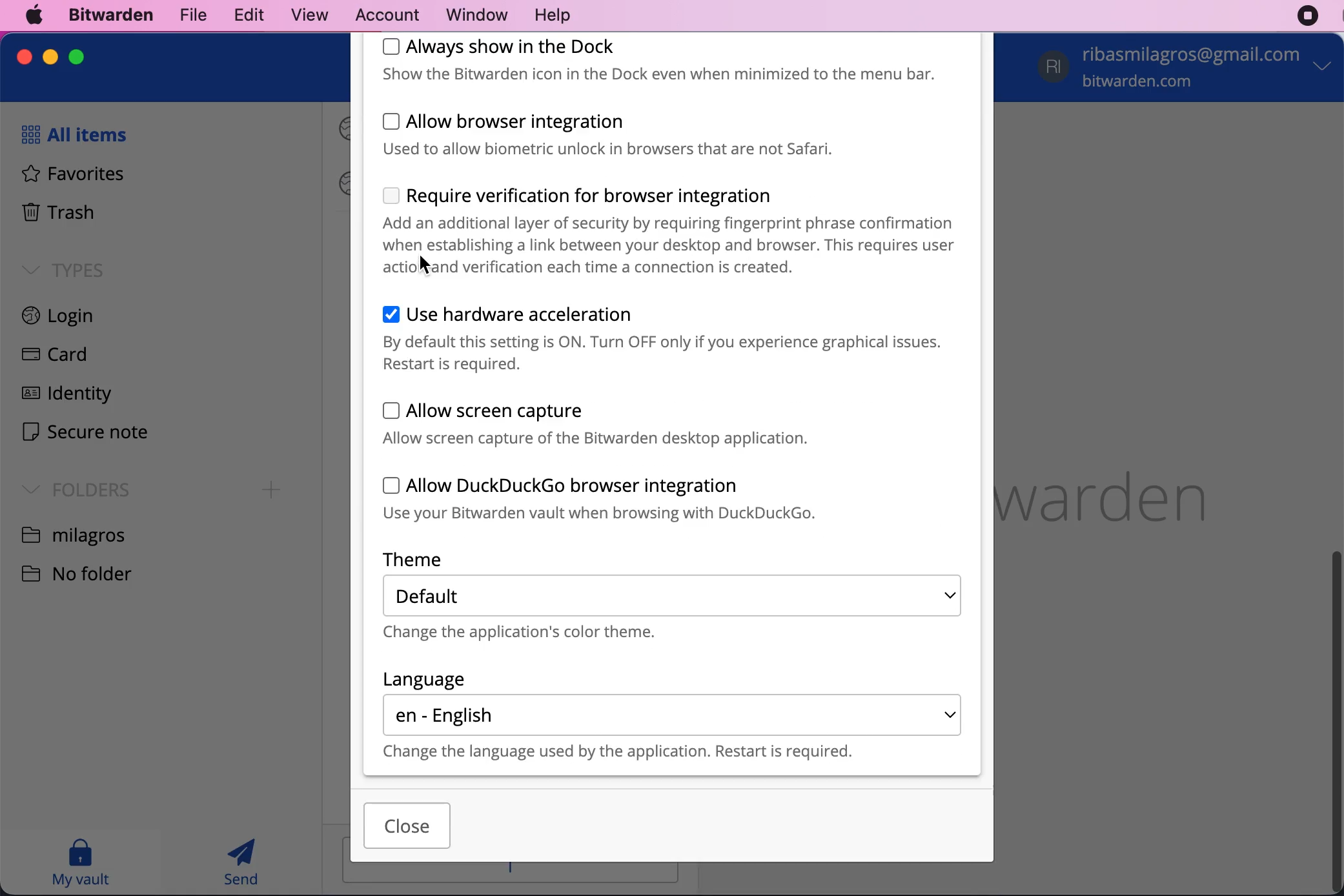 Image resolution: width=1344 pixels, height=896 pixels. What do you see at coordinates (80, 862) in the screenshot?
I see `my vault` at bounding box center [80, 862].